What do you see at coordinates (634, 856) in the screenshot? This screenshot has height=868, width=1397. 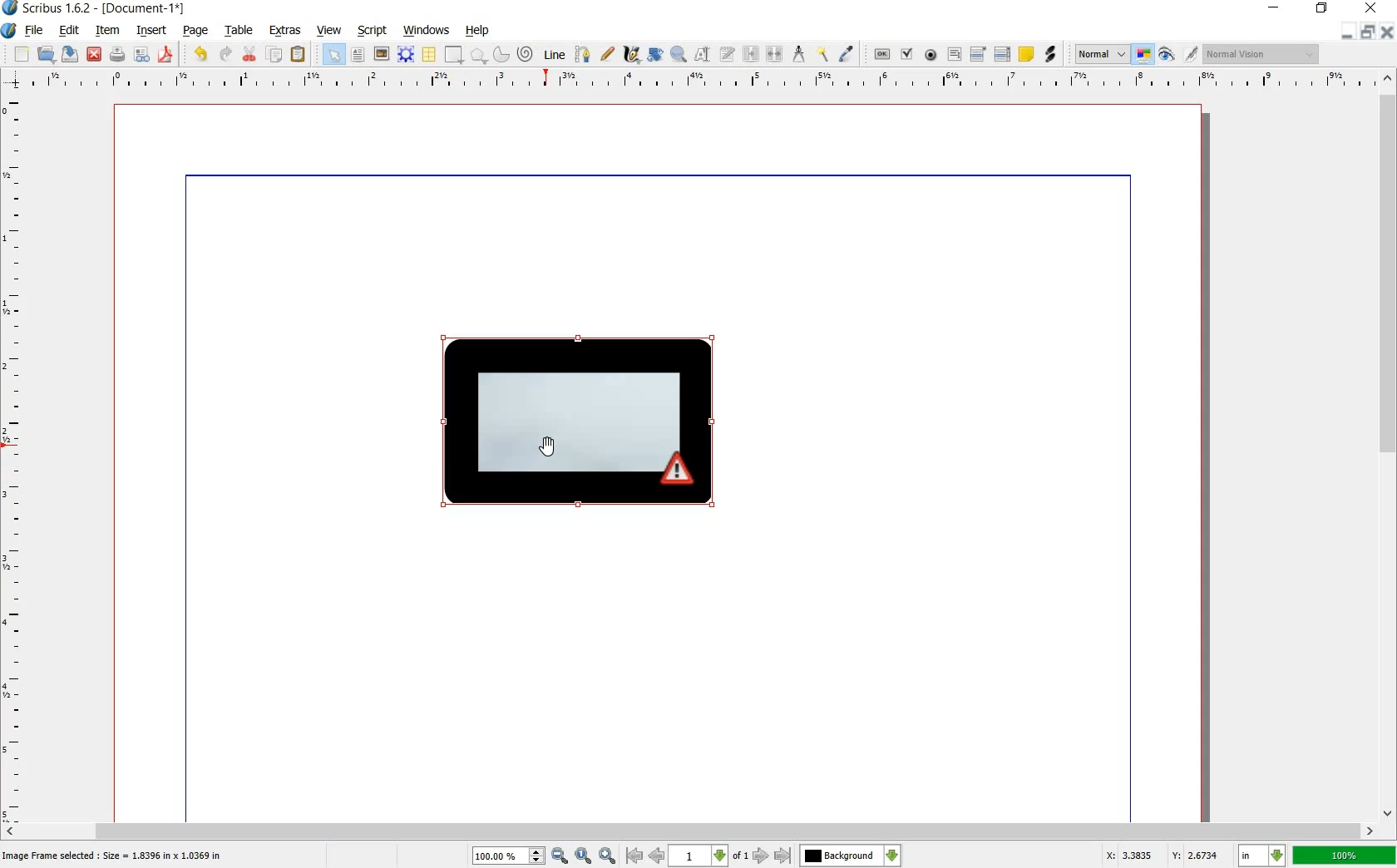 I see `go to antepenultimate page` at bounding box center [634, 856].